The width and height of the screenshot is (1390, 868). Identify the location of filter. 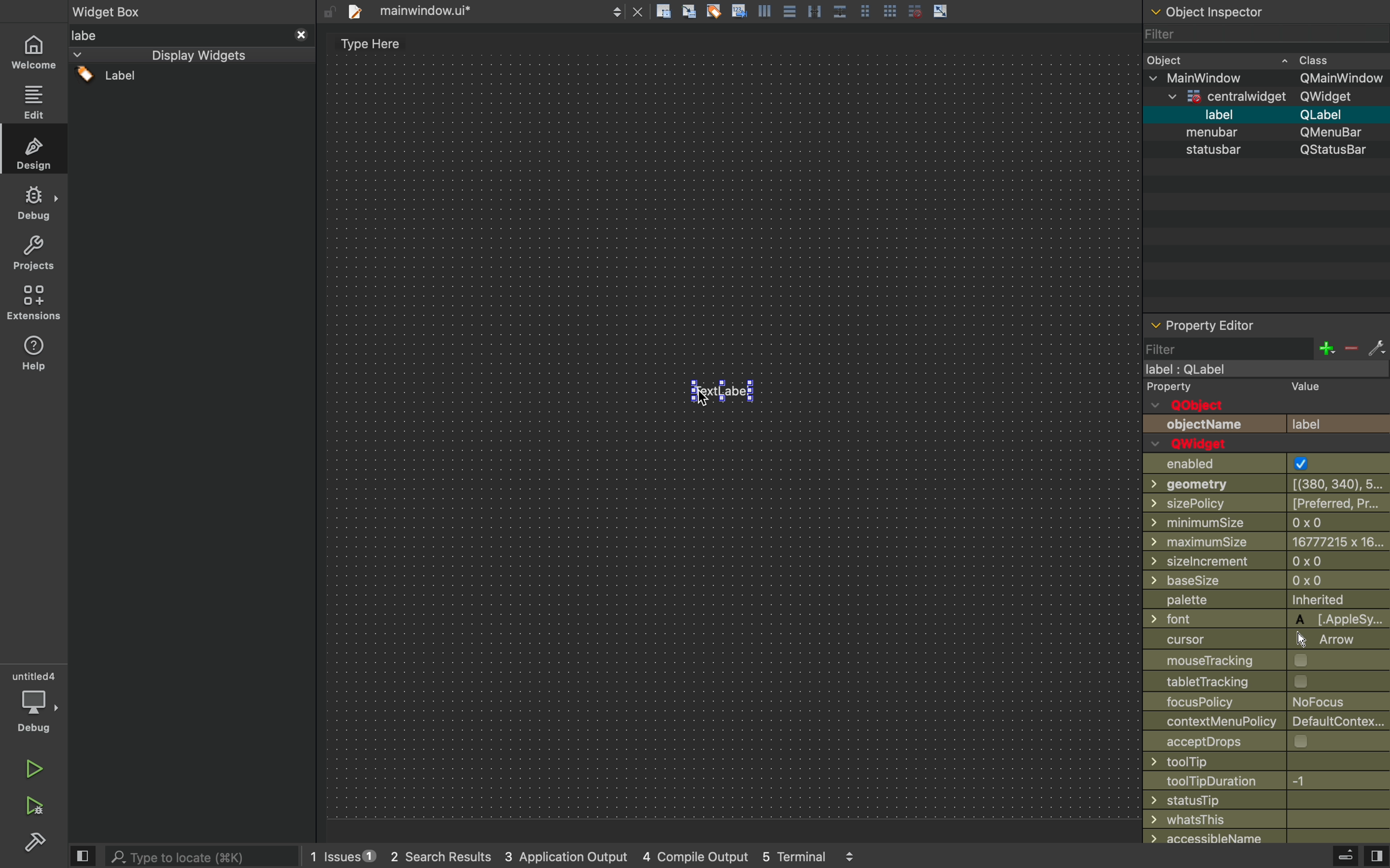
(1261, 36).